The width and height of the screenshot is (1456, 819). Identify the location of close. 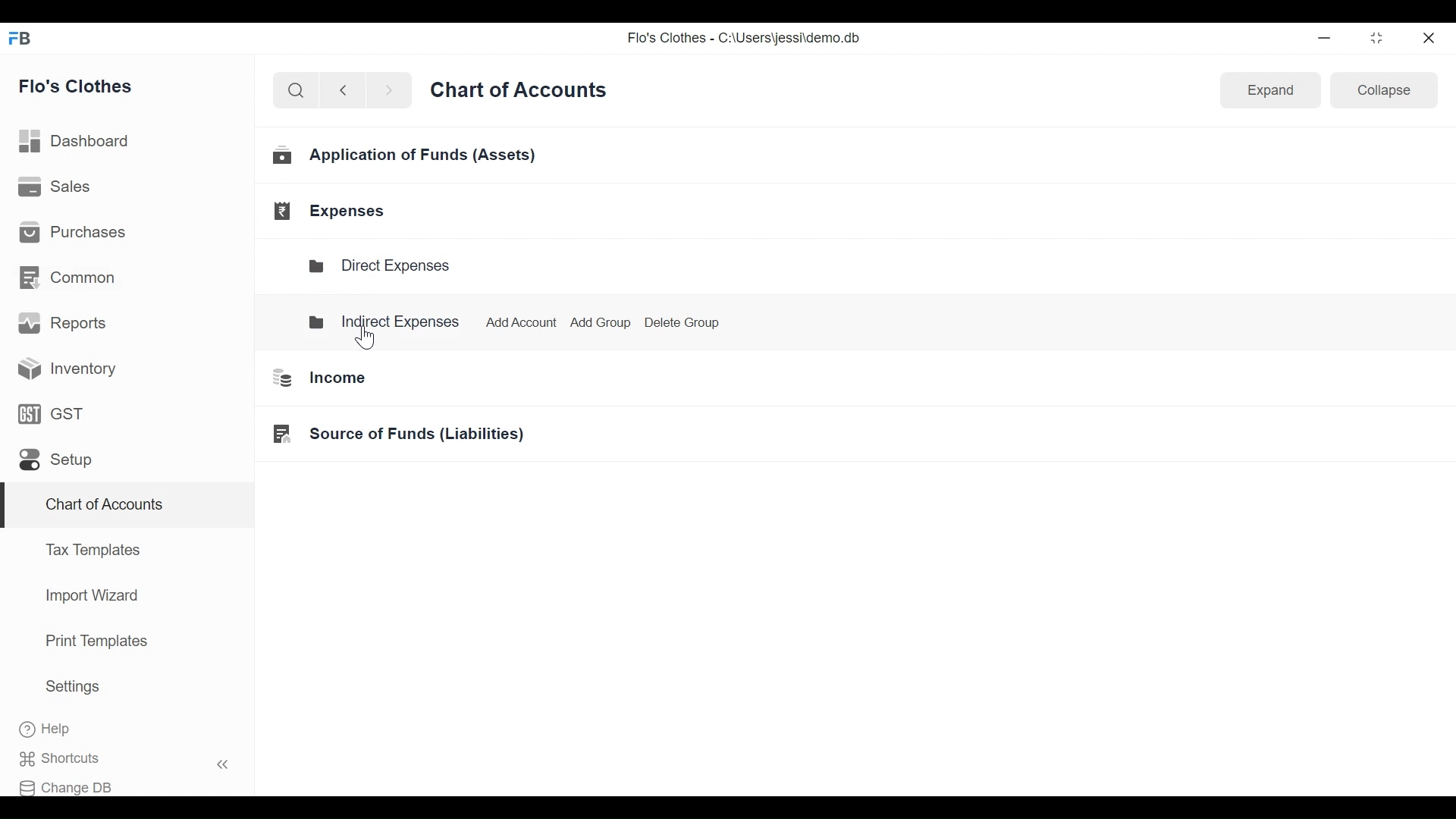
(1430, 36).